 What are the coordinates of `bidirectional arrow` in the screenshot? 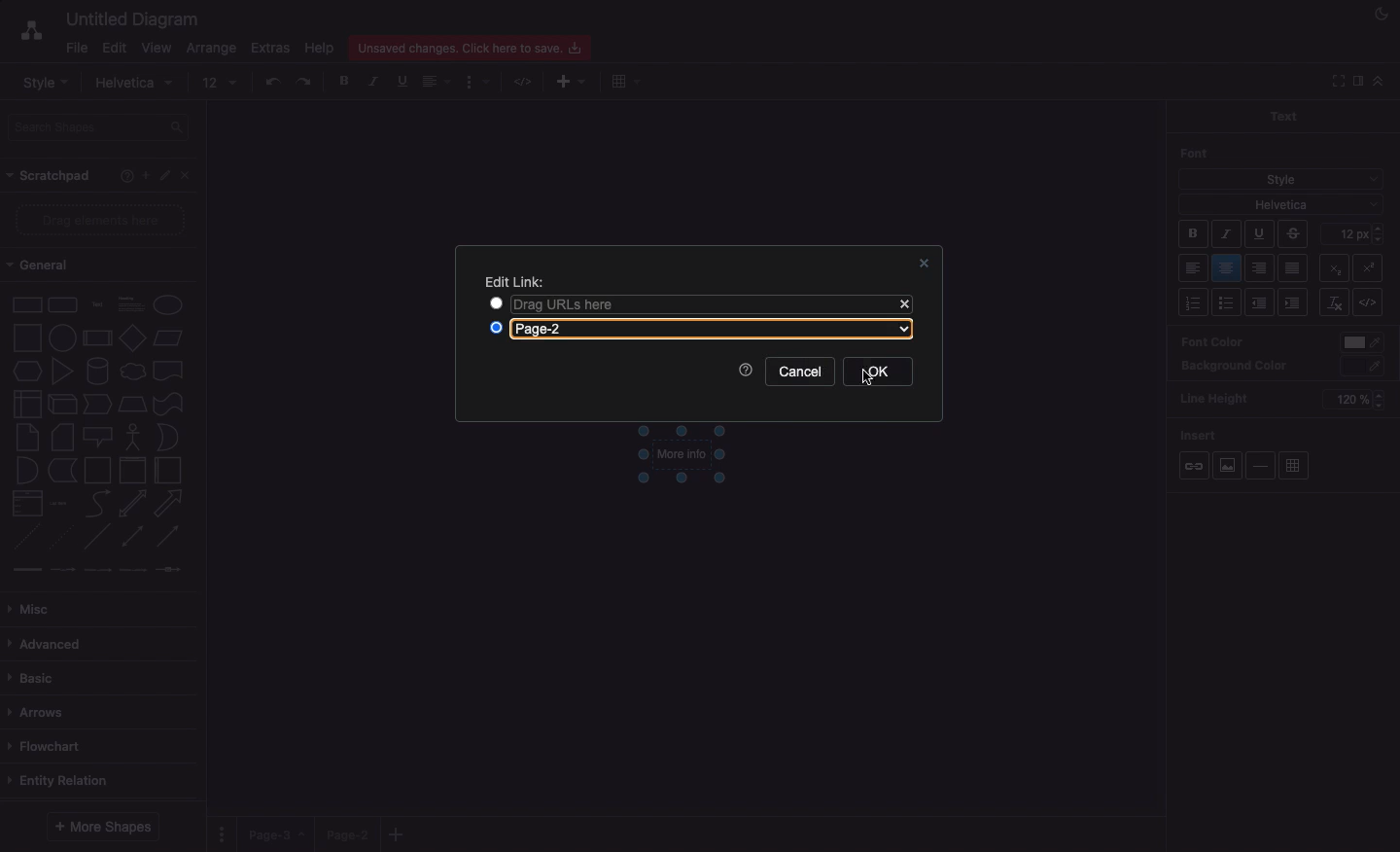 It's located at (131, 504).